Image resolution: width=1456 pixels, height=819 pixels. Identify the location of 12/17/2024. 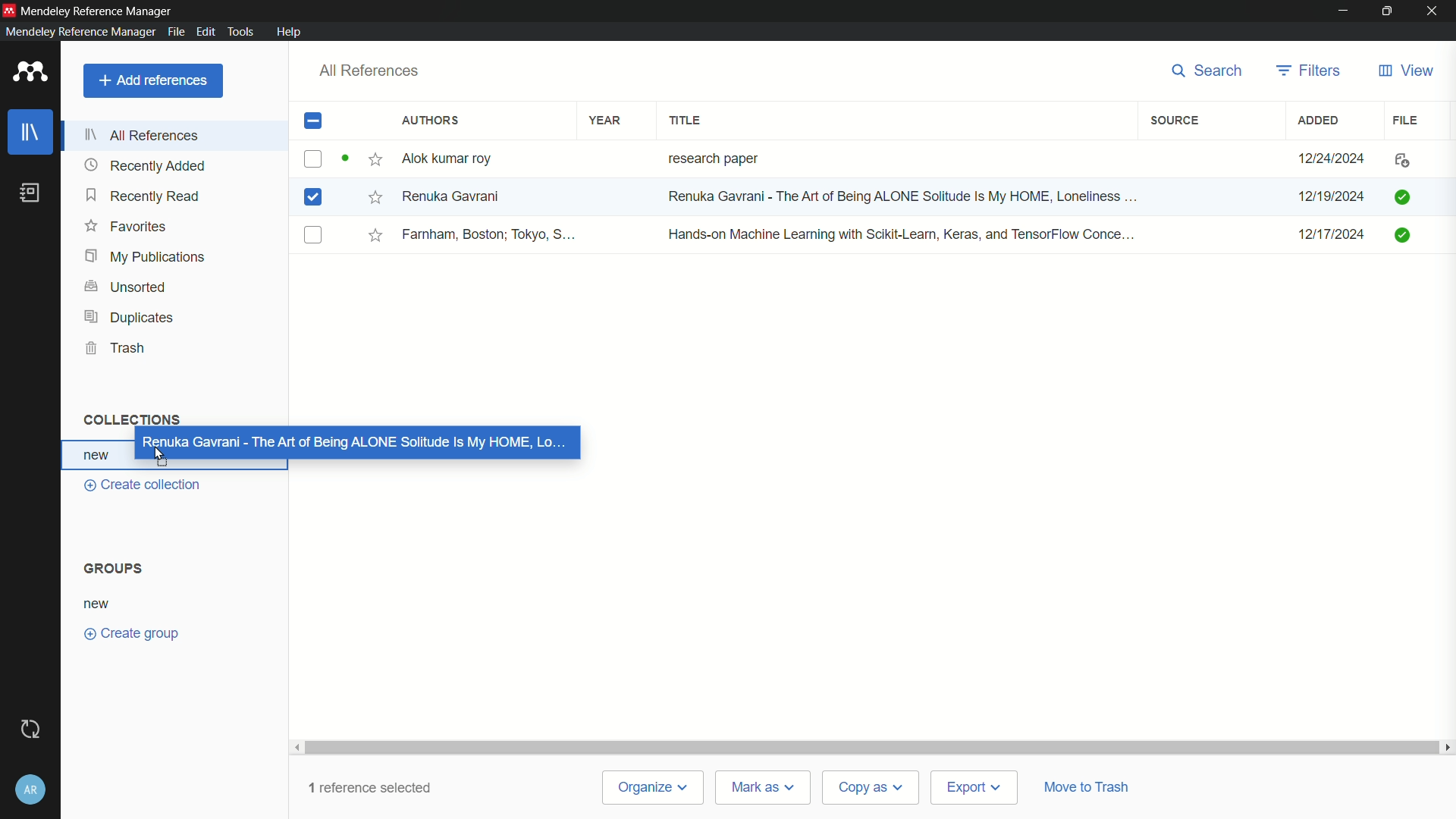
(1323, 234).